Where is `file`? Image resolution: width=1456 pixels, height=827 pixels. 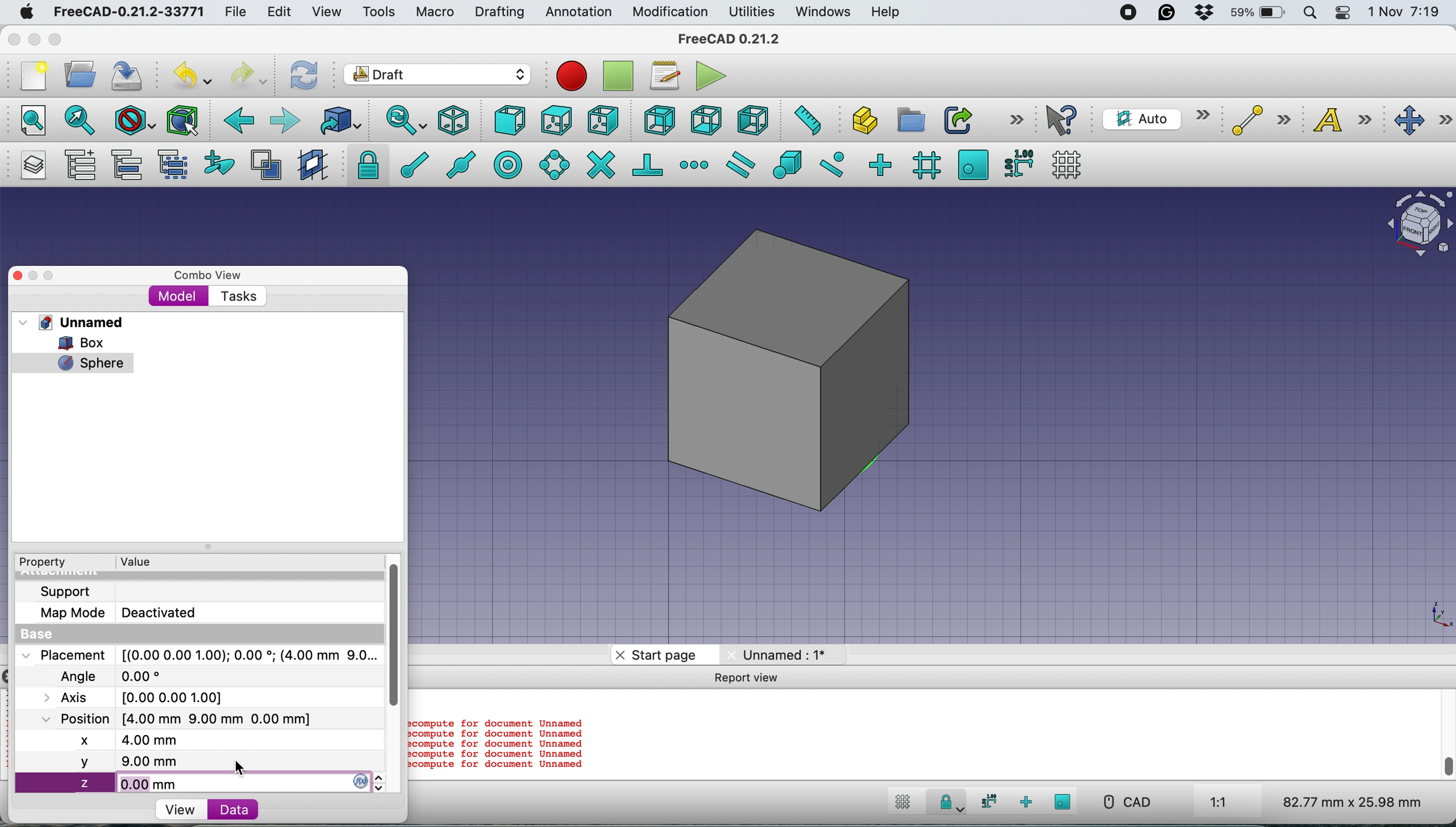 file is located at coordinates (235, 12).